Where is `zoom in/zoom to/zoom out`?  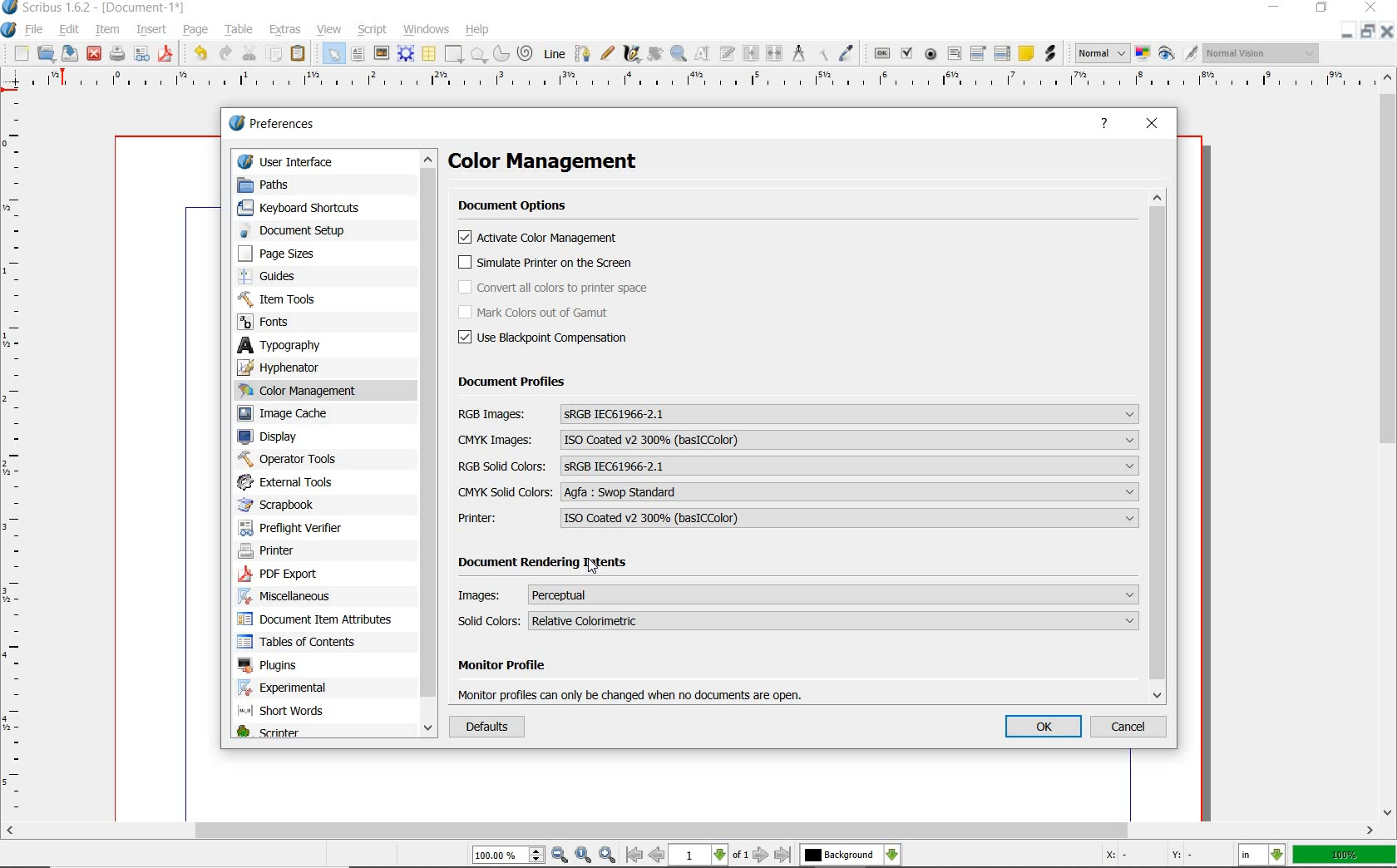
zoom in/zoom to/zoom out is located at coordinates (546, 856).